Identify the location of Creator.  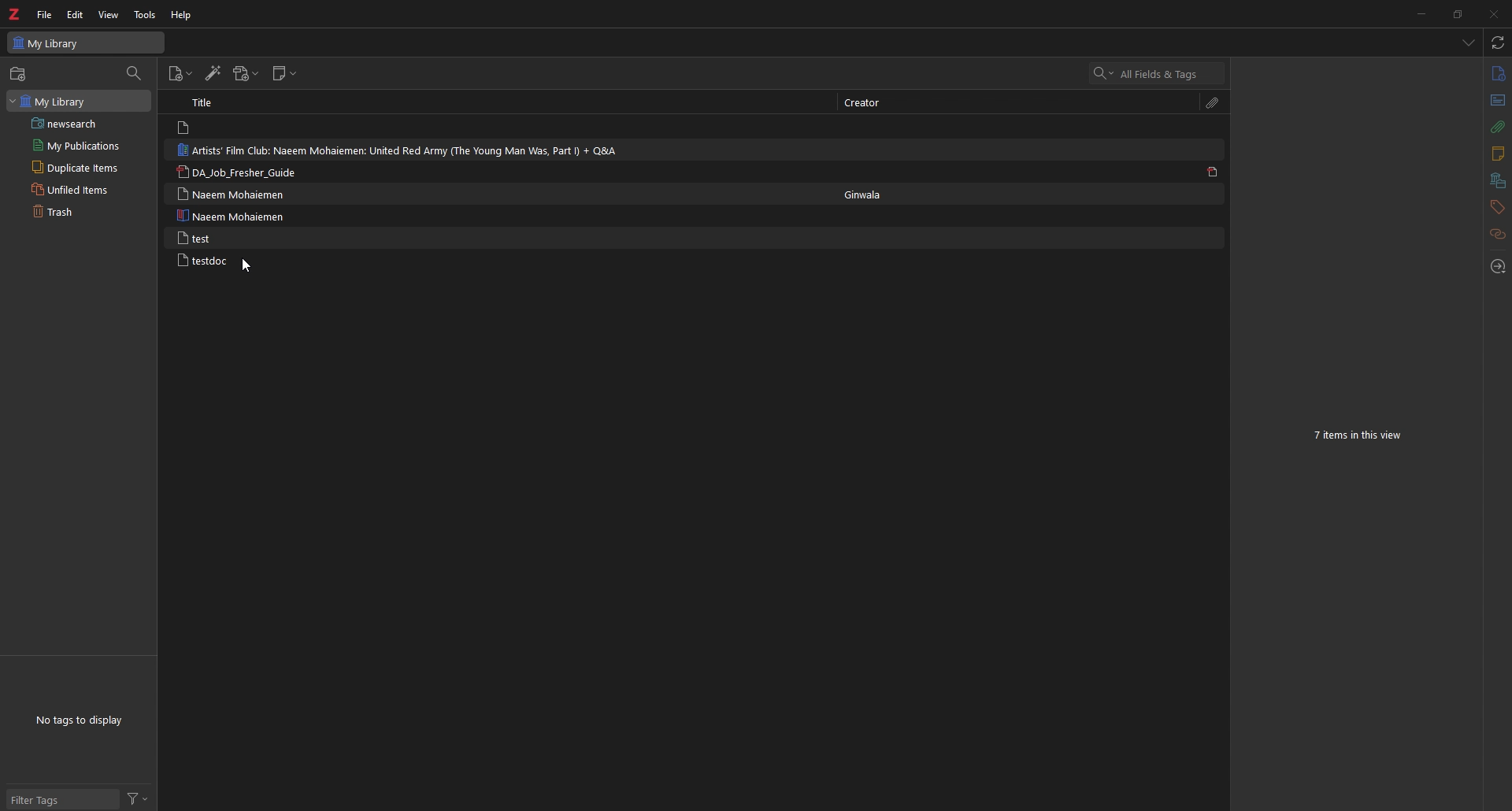
(865, 104).